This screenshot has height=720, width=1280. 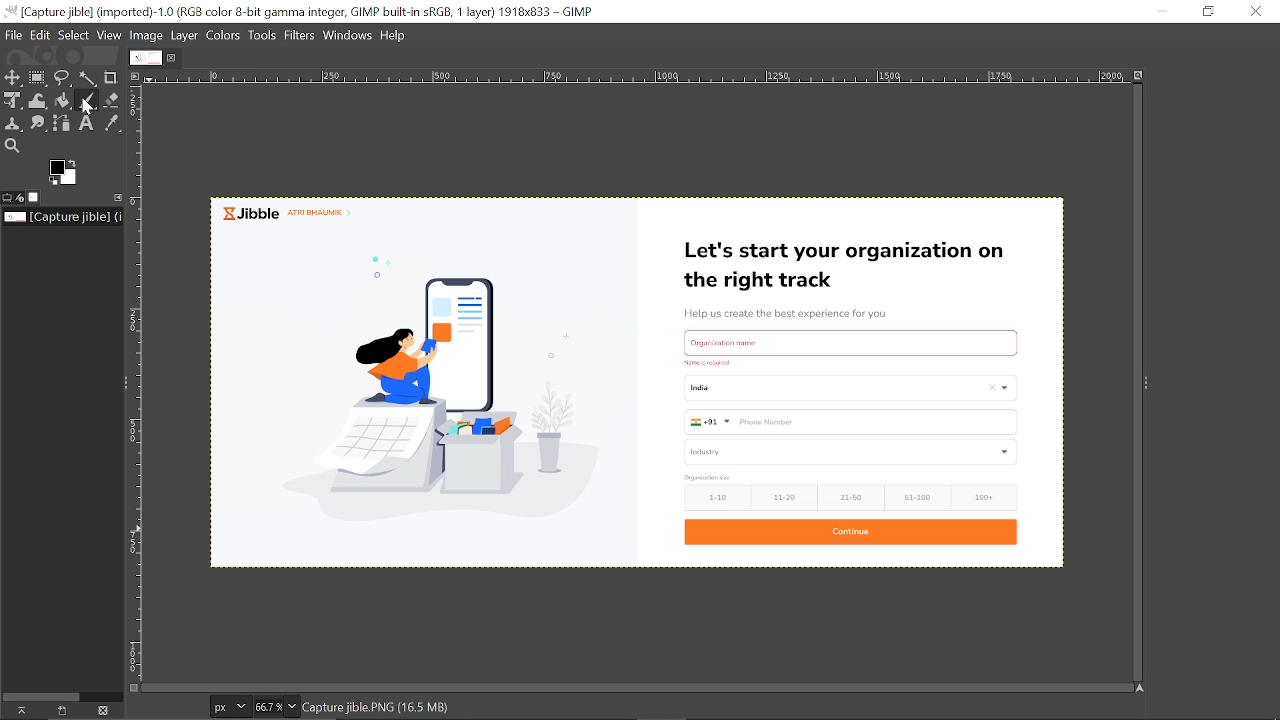 What do you see at coordinates (42, 36) in the screenshot?
I see `Edit` at bounding box center [42, 36].